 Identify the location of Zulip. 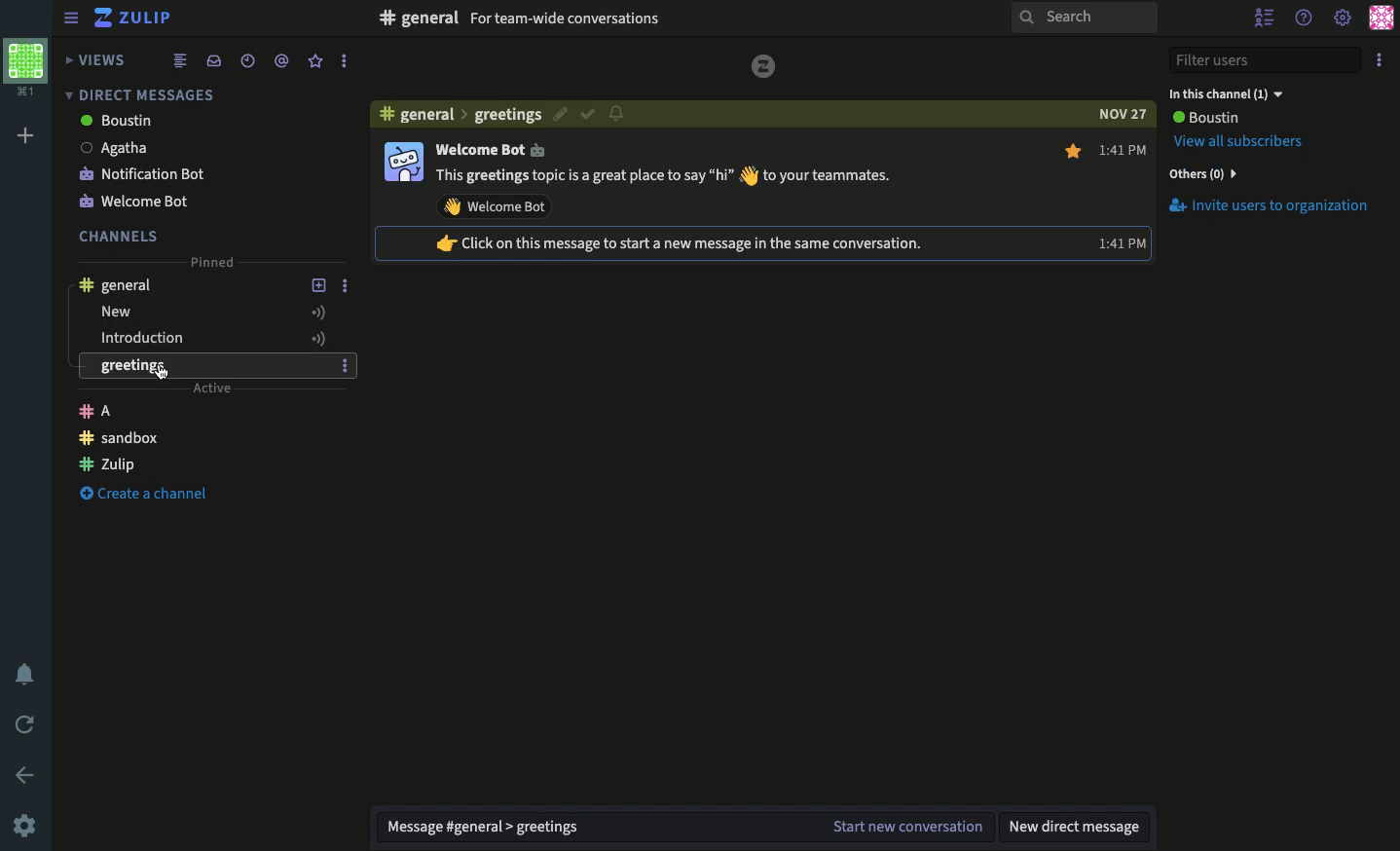
(136, 20).